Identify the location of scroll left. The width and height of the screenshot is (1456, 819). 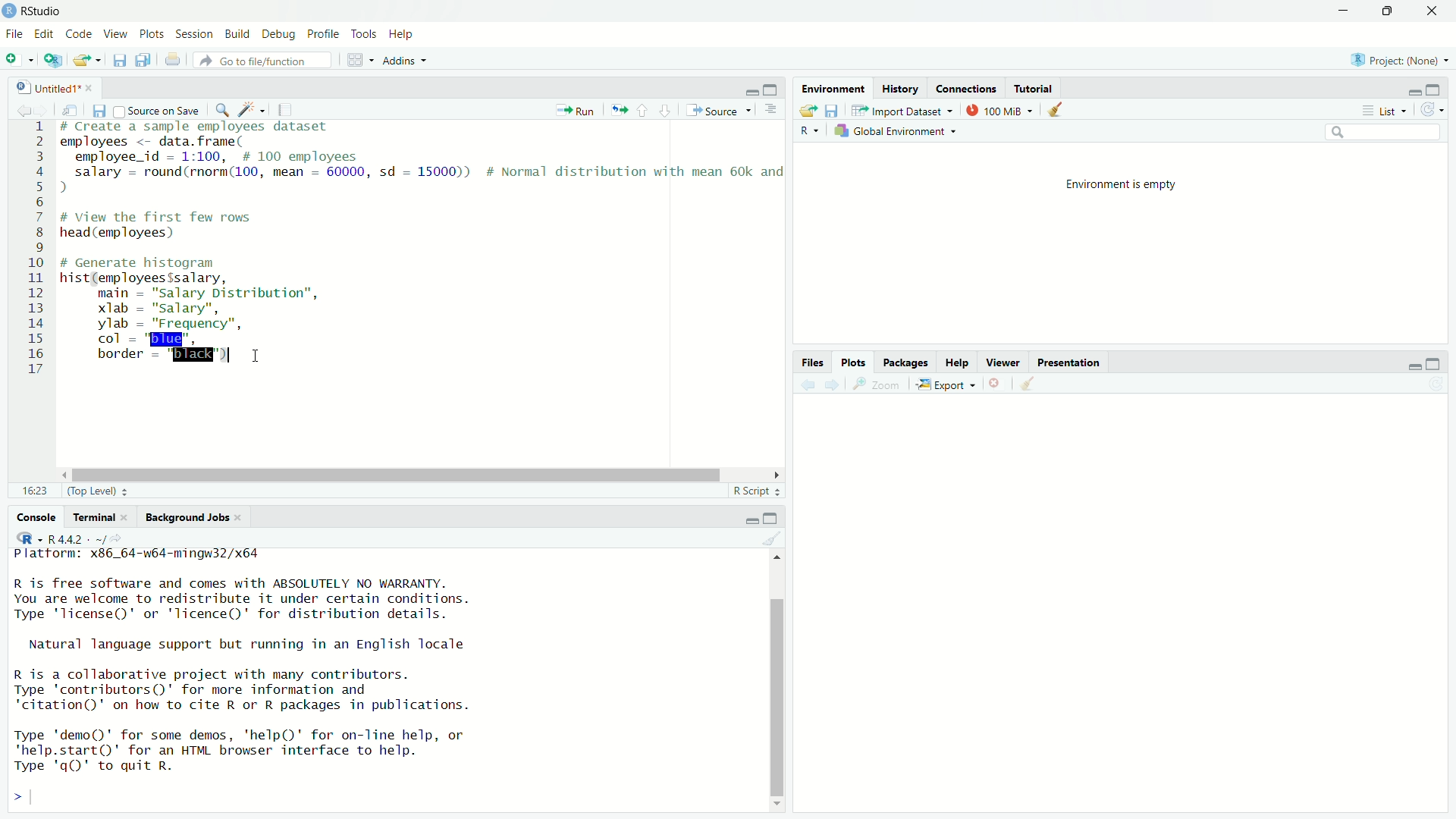
(61, 475).